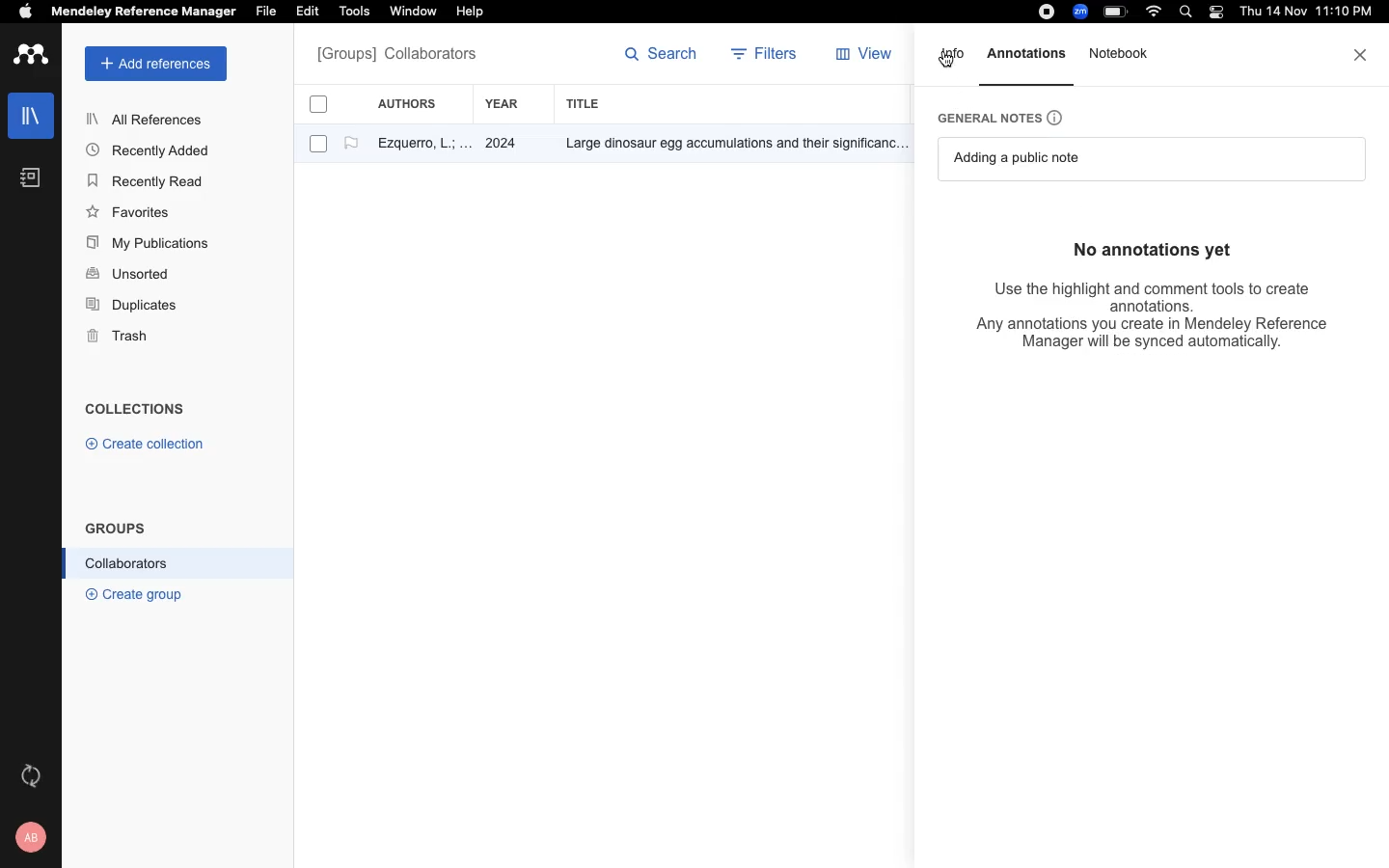 The height and width of the screenshot is (868, 1389). I want to click on Recently Read, so click(148, 181).